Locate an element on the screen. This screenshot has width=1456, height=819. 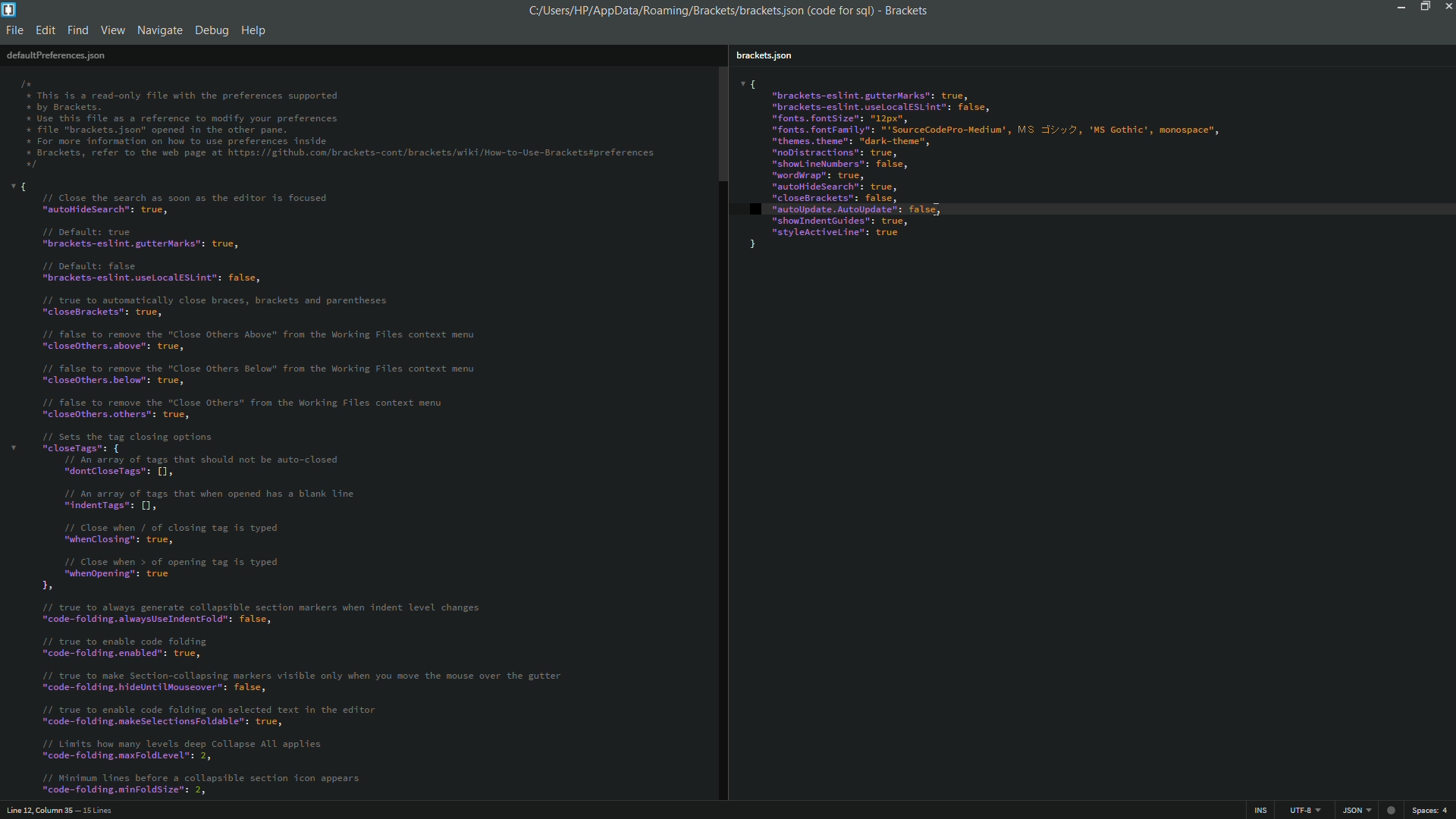
C/Users/HP/AppData/Roaming/Brackets/bracketsjson (code for sql) - Brackets is located at coordinates (736, 11).